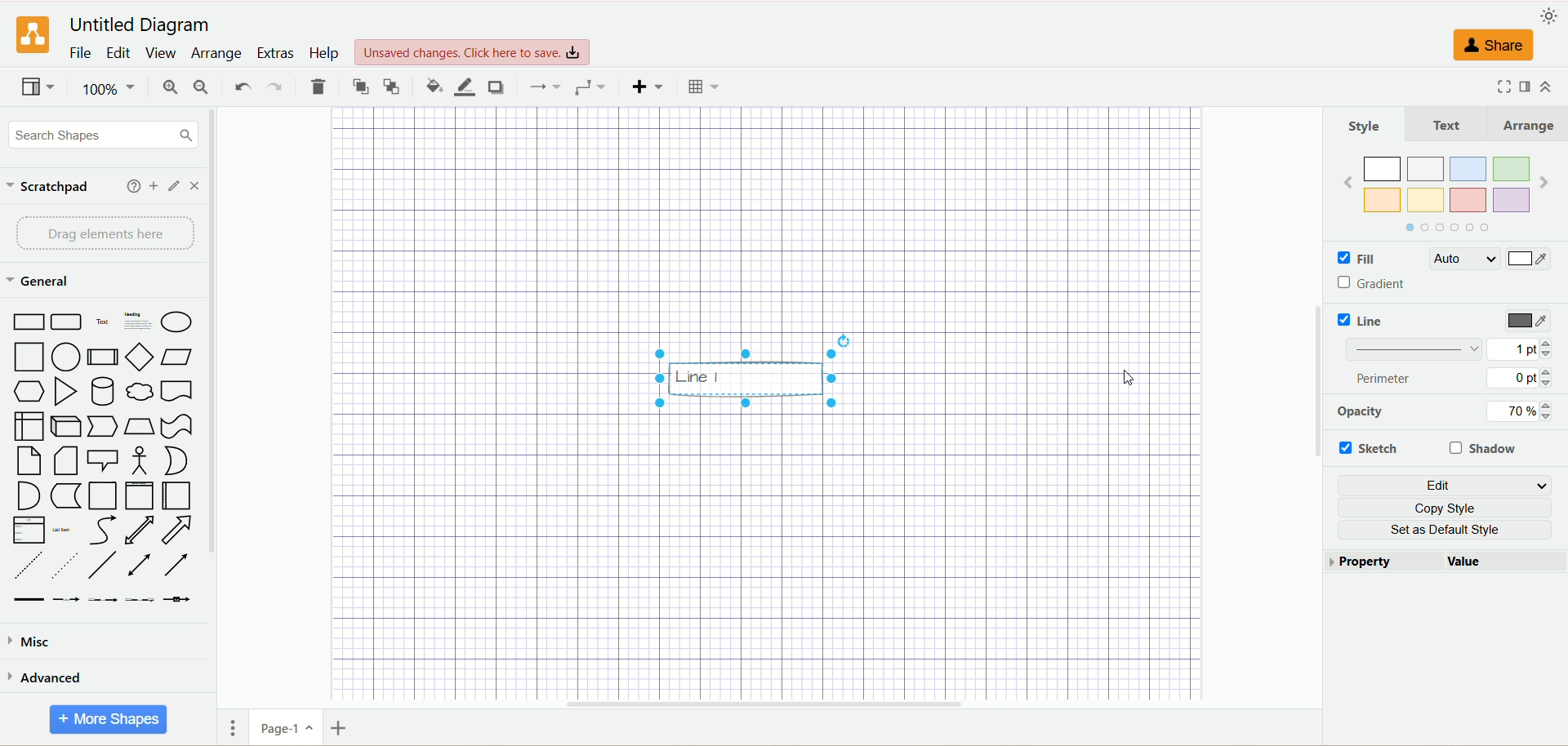  What do you see at coordinates (140, 463) in the screenshot?
I see `Actor` at bounding box center [140, 463].